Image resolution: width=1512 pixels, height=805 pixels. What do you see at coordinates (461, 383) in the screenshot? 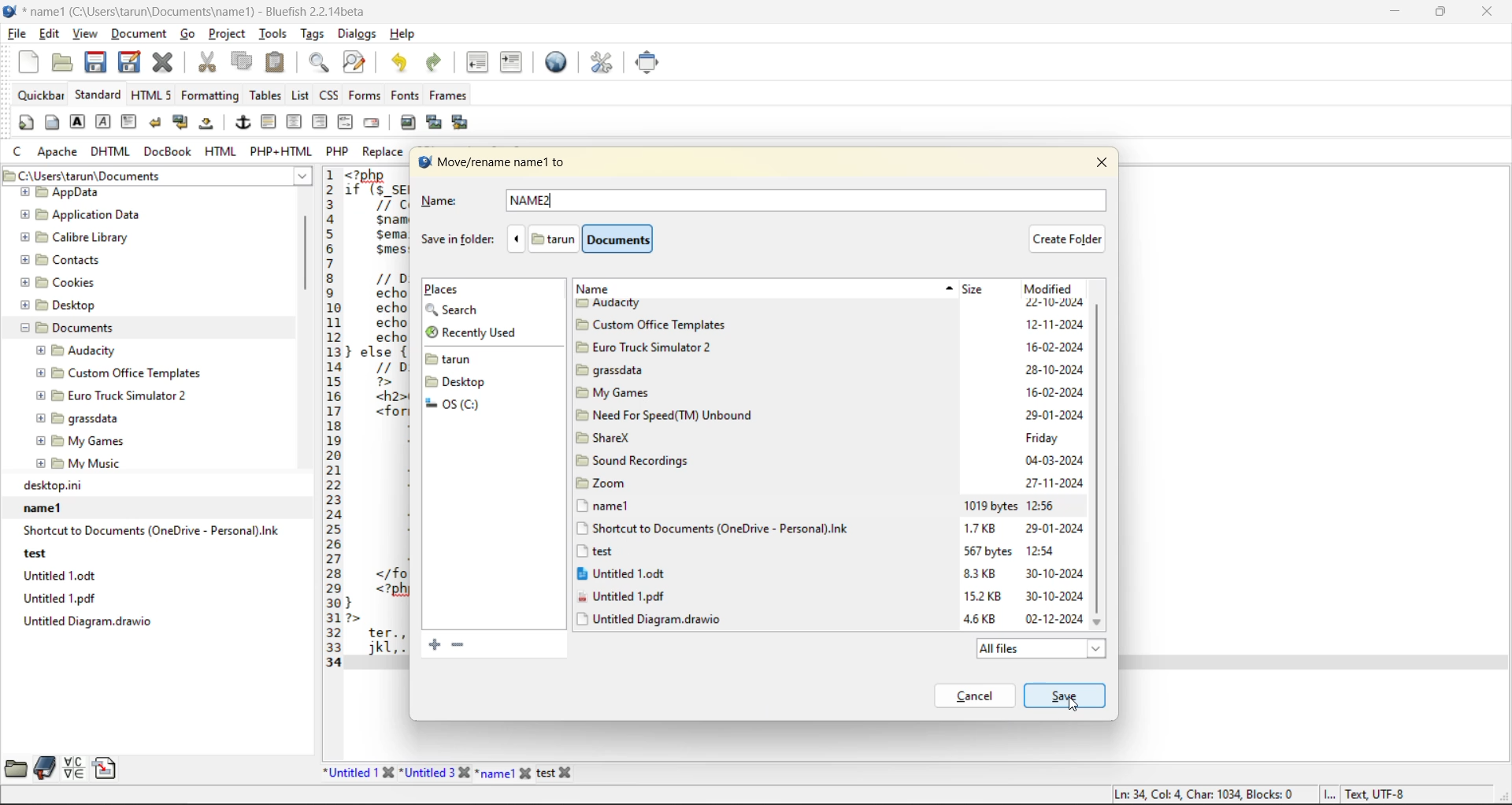
I see `folders and files` at bounding box center [461, 383].